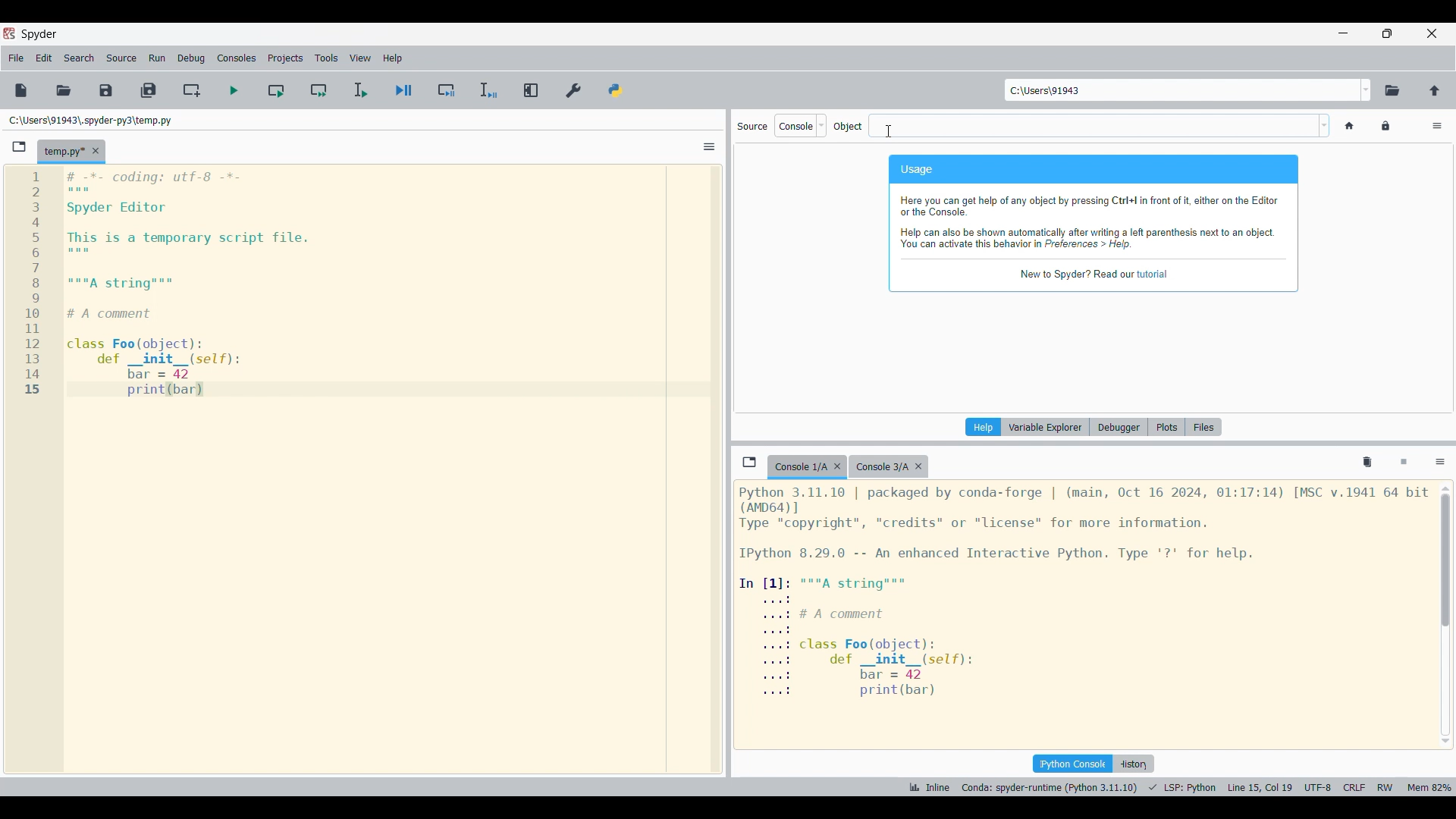 The height and width of the screenshot is (819, 1456). What do you see at coordinates (1047, 786) in the screenshot?
I see `Canada: spyder-runtime (Python 3.11.10)` at bounding box center [1047, 786].